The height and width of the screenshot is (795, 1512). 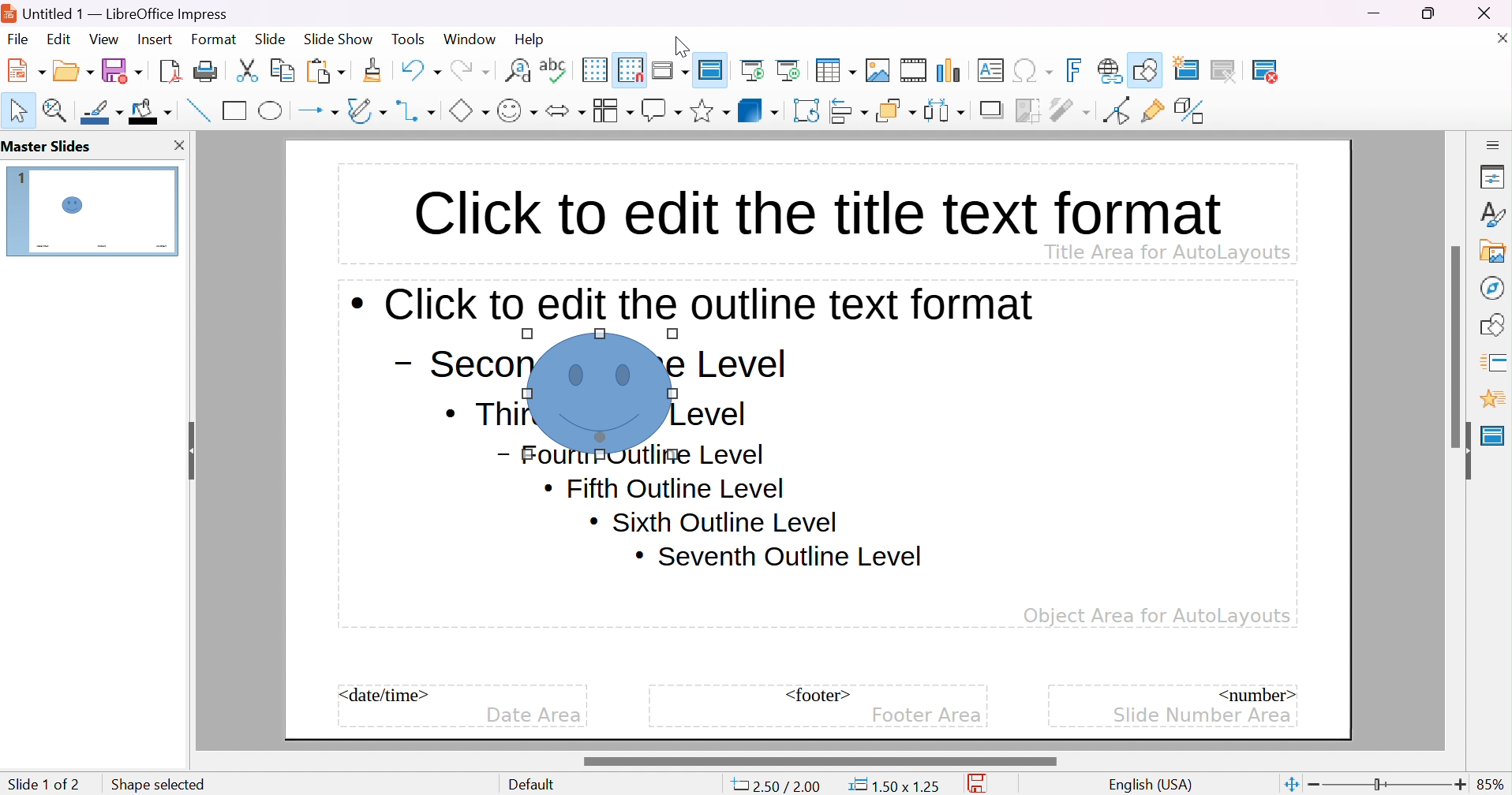 I want to click on flowchart, so click(x=612, y=110).